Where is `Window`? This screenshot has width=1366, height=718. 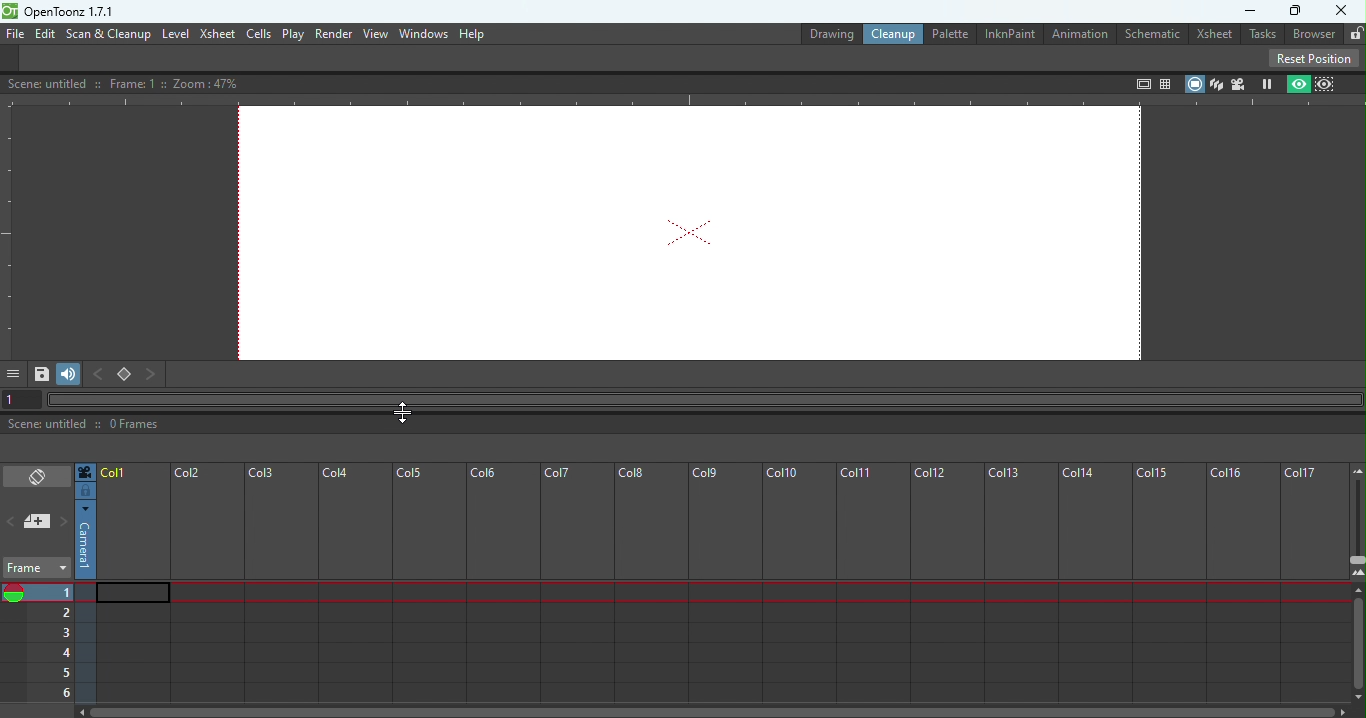
Window is located at coordinates (421, 34).